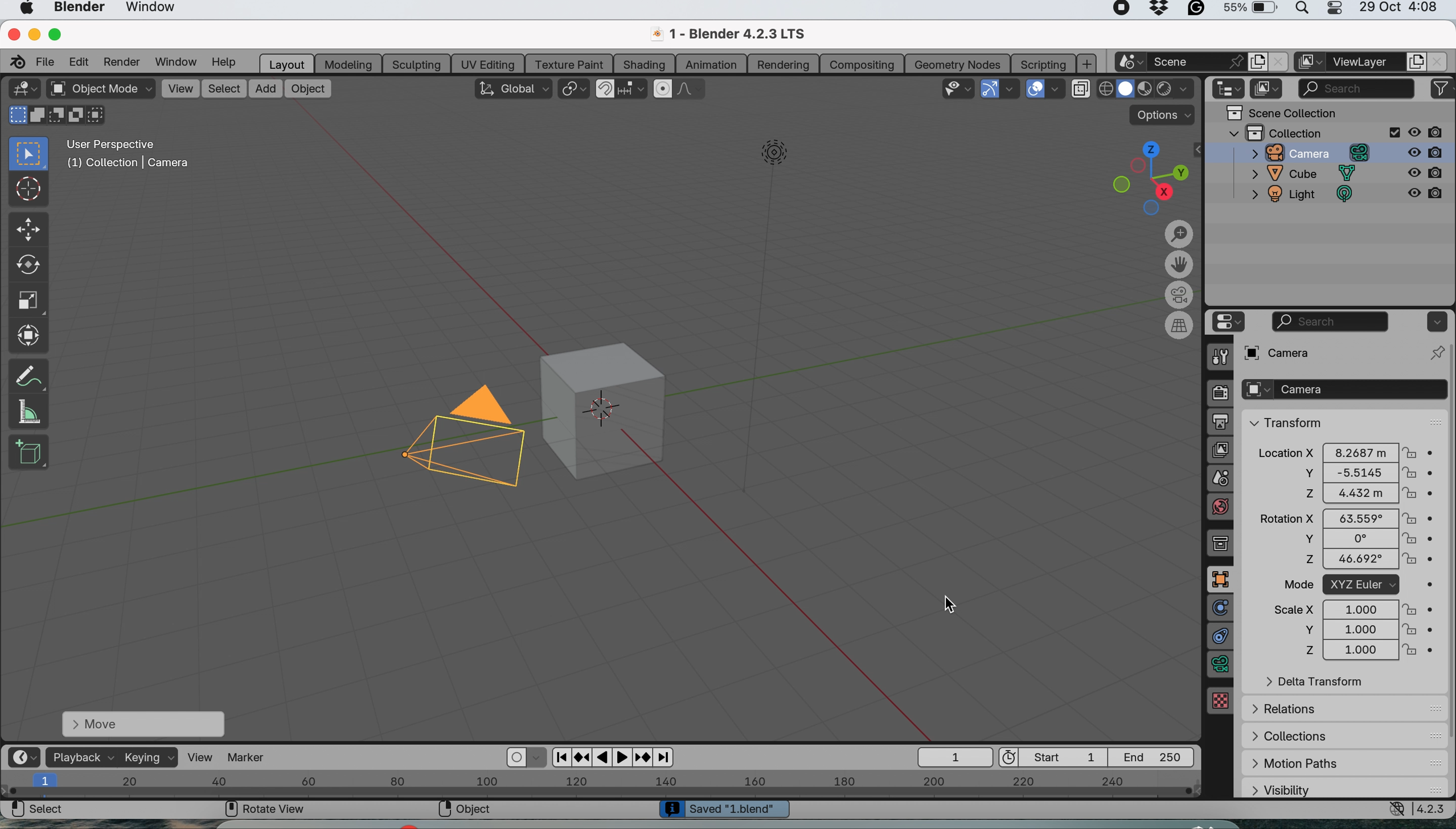  Describe the element at coordinates (1221, 449) in the screenshot. I see `view layer` at that location.